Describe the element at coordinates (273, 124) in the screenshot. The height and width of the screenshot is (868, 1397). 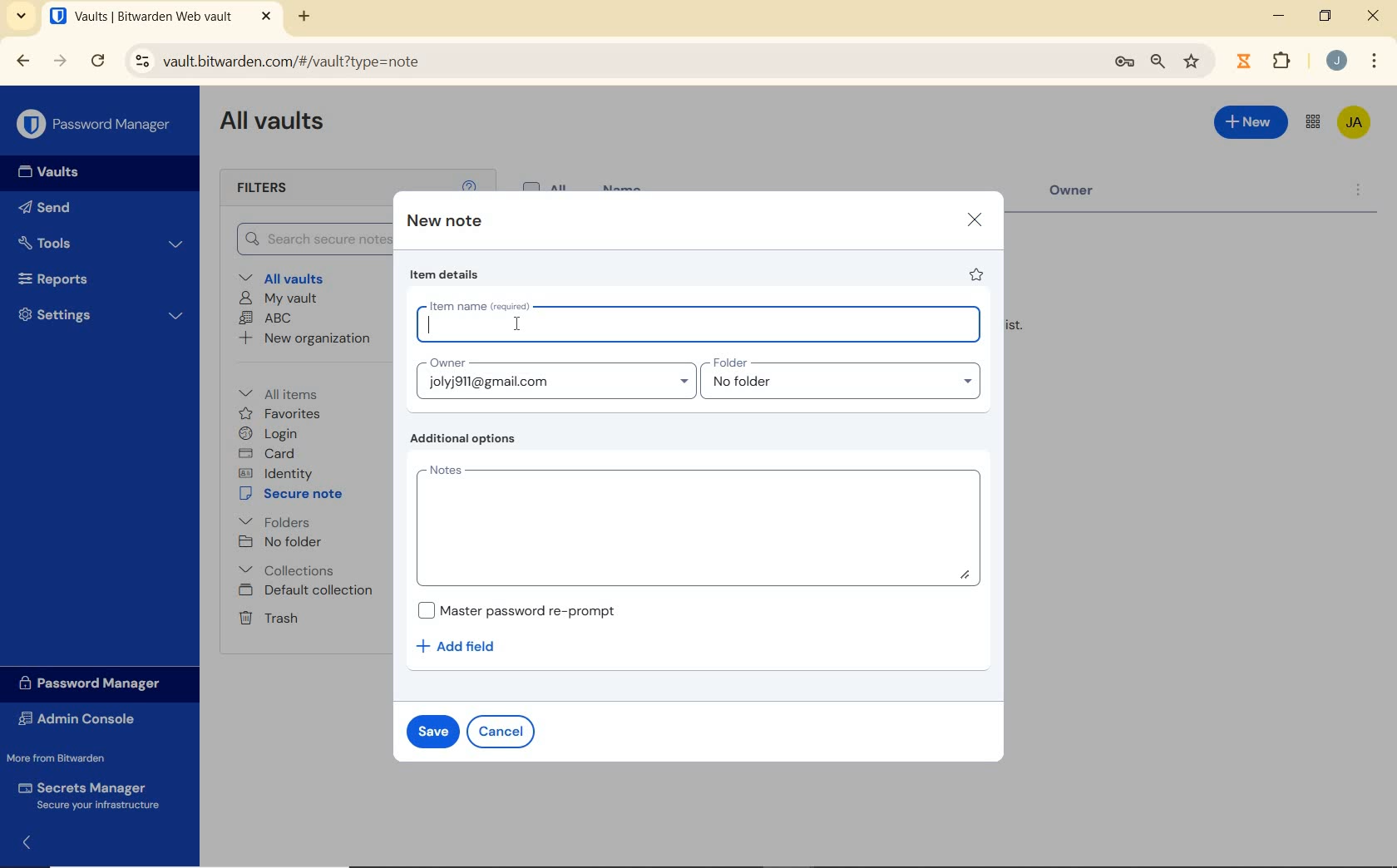
I see `All Vaults` at that location.